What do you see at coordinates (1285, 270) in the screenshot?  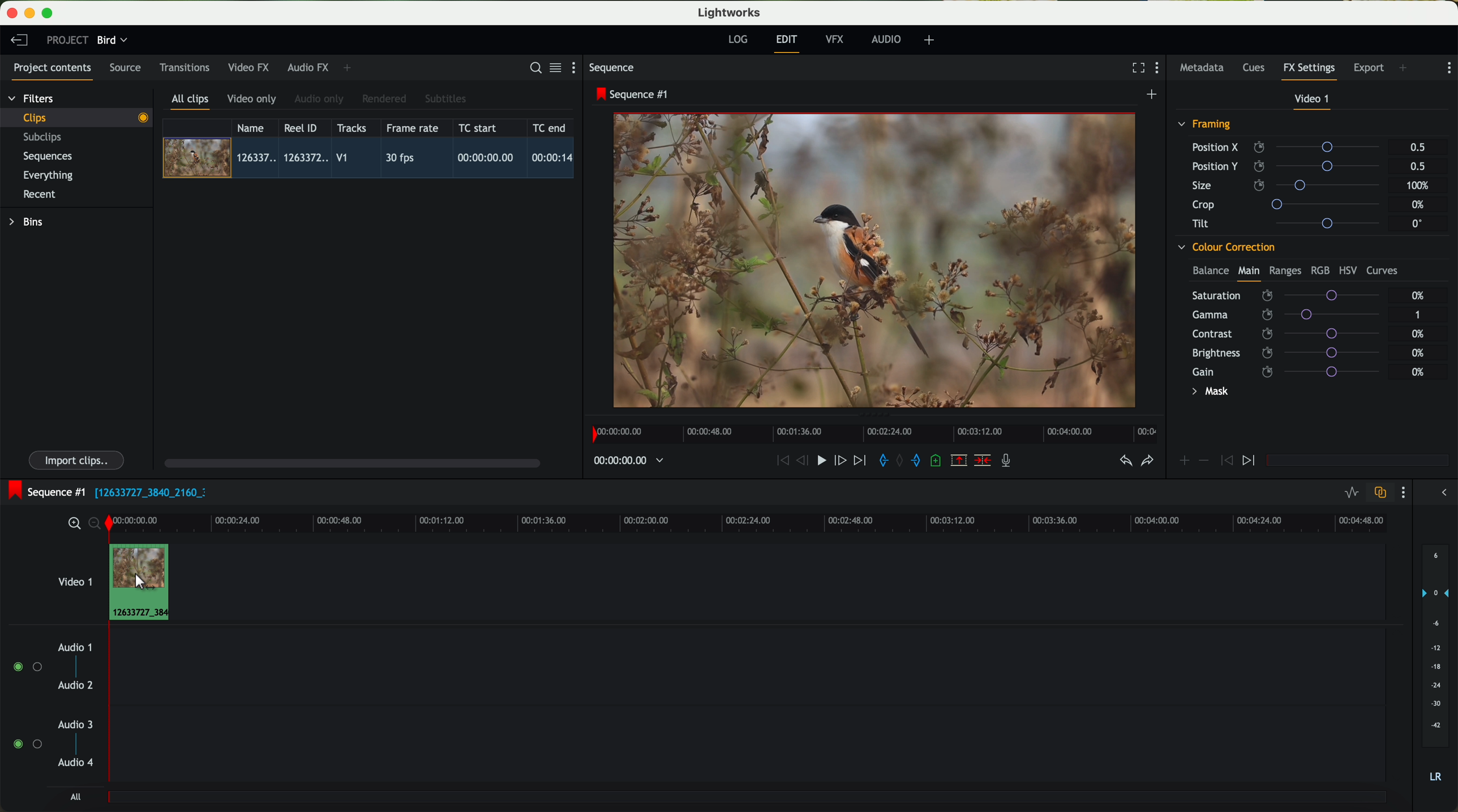 I see `ranges` at bounding box center [1285, 270].